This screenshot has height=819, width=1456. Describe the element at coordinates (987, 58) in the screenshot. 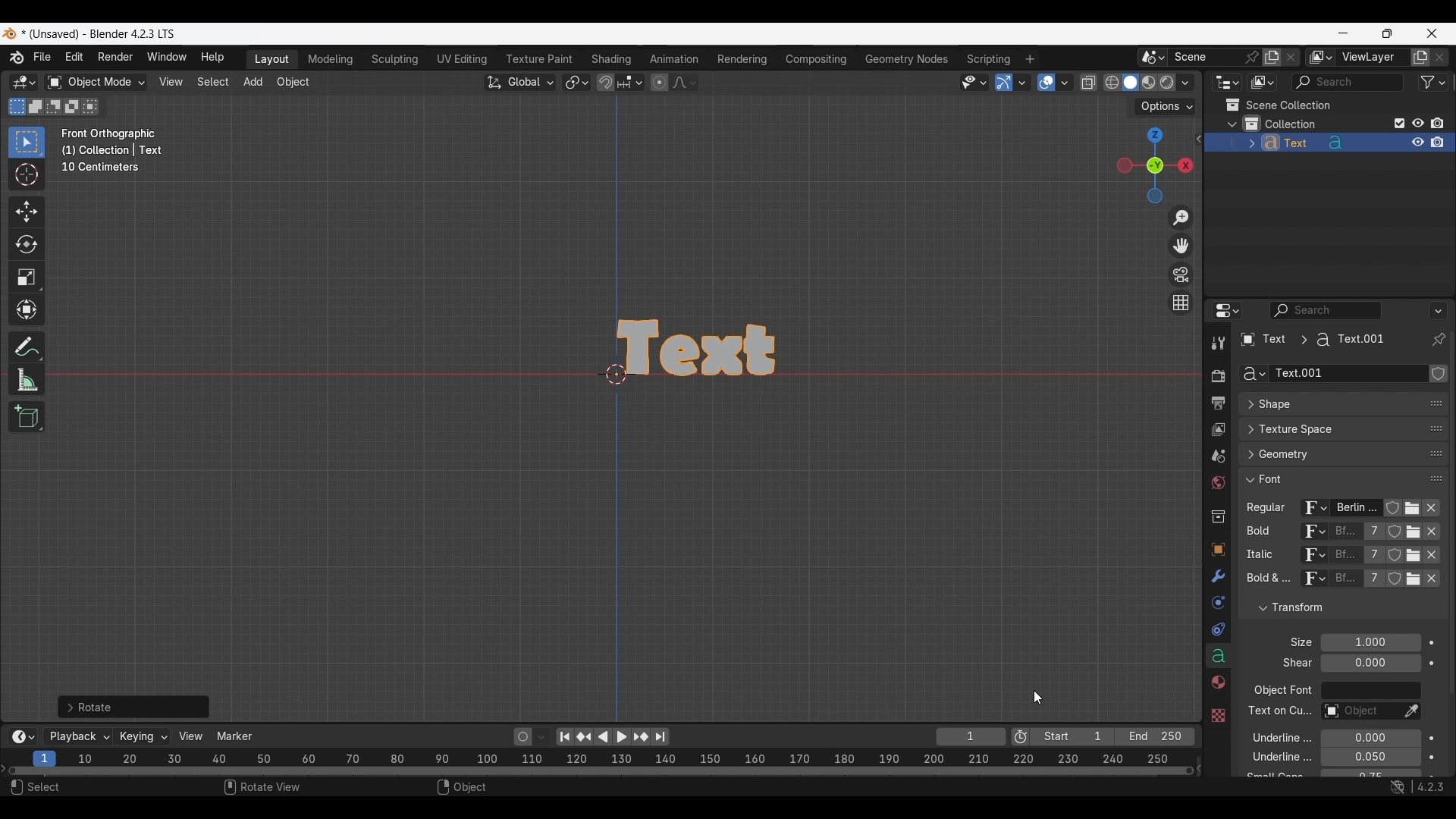

I see `Scripting workspace` at that location.